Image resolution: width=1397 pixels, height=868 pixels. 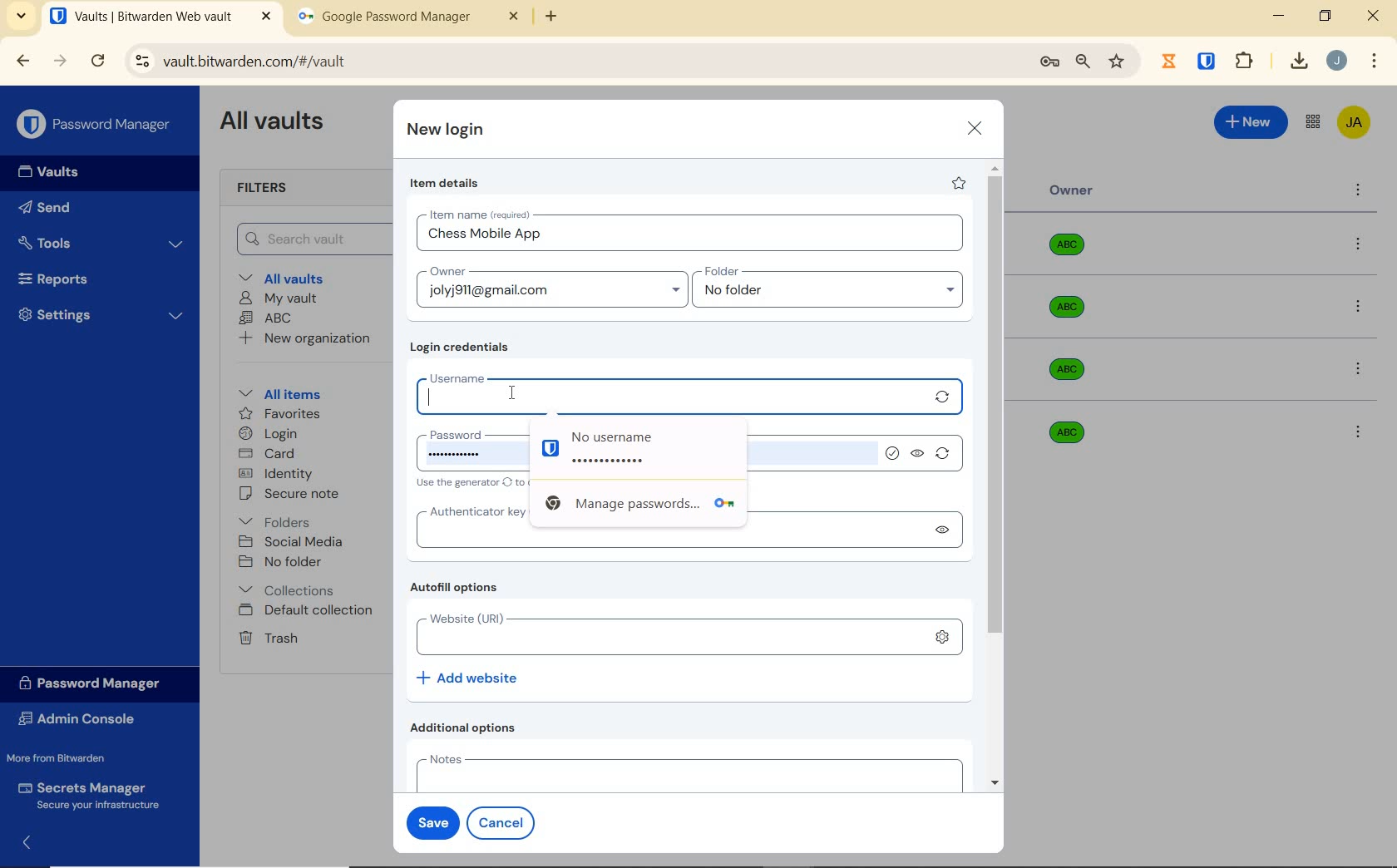 I want to click on option, so click(x=1361, y=245).